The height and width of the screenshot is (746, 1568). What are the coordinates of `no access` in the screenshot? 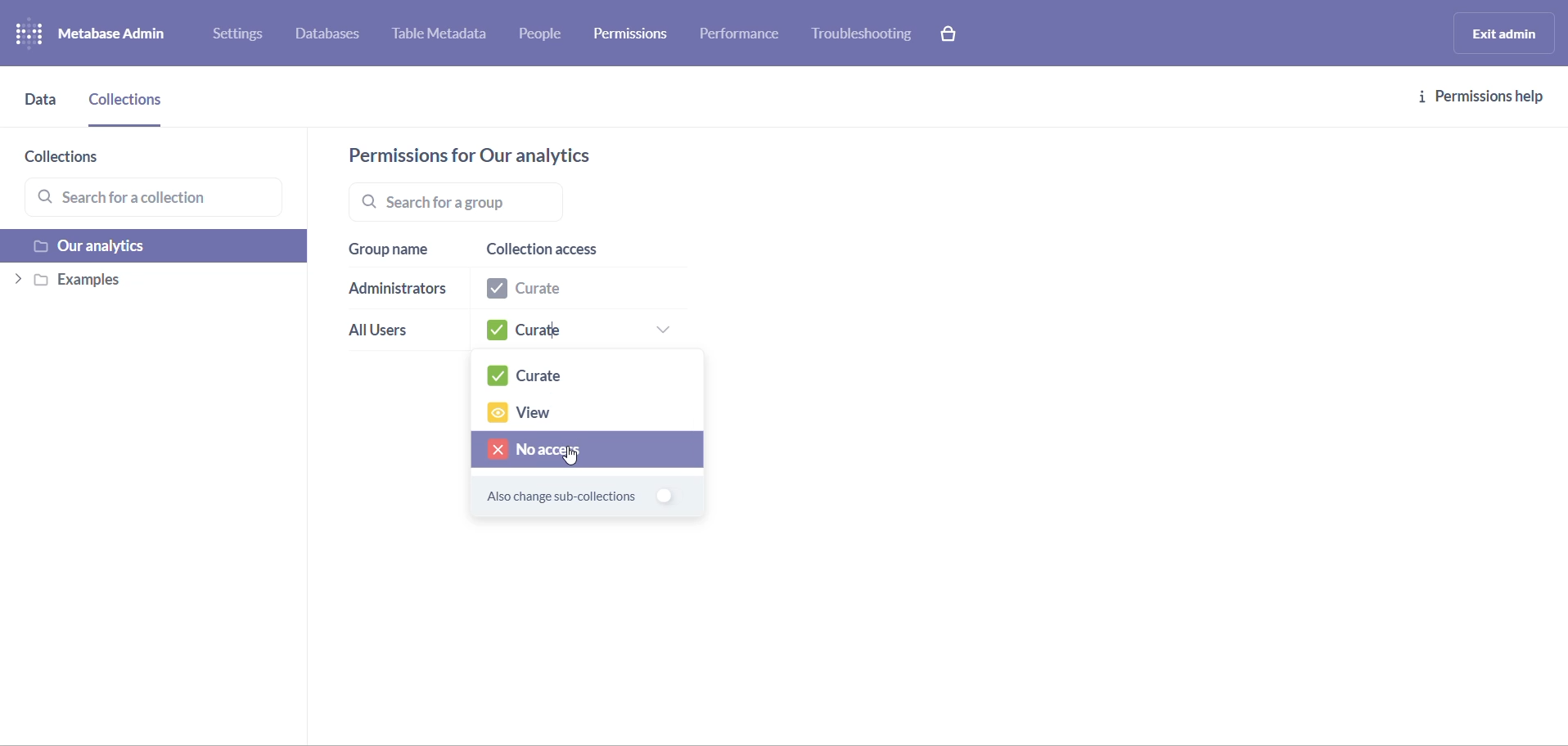 It's located at (588, 451).